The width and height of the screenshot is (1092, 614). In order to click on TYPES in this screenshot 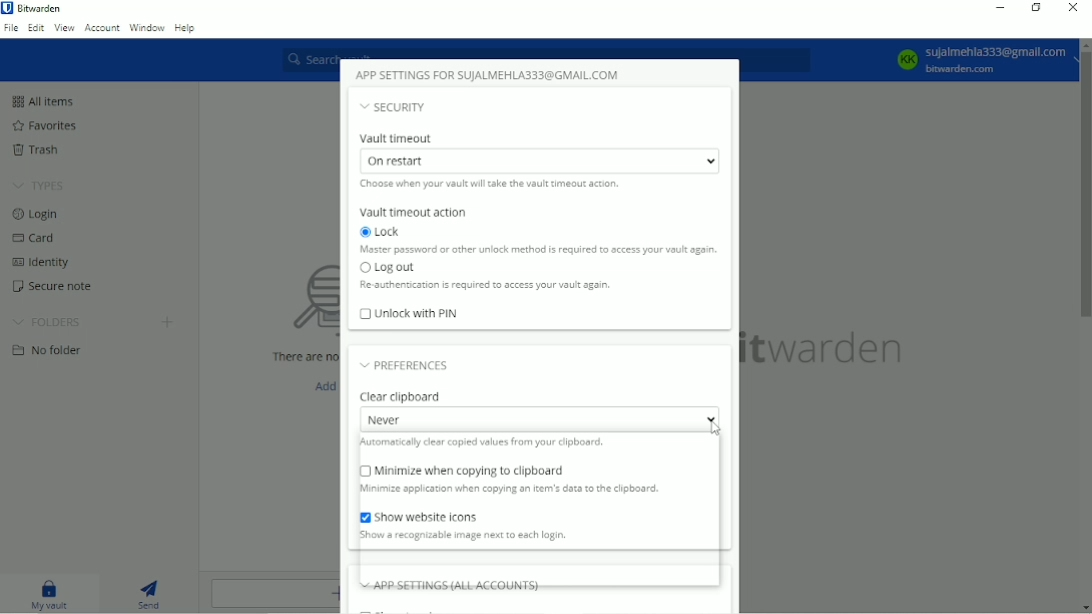, I will do `click(47, 187)`.